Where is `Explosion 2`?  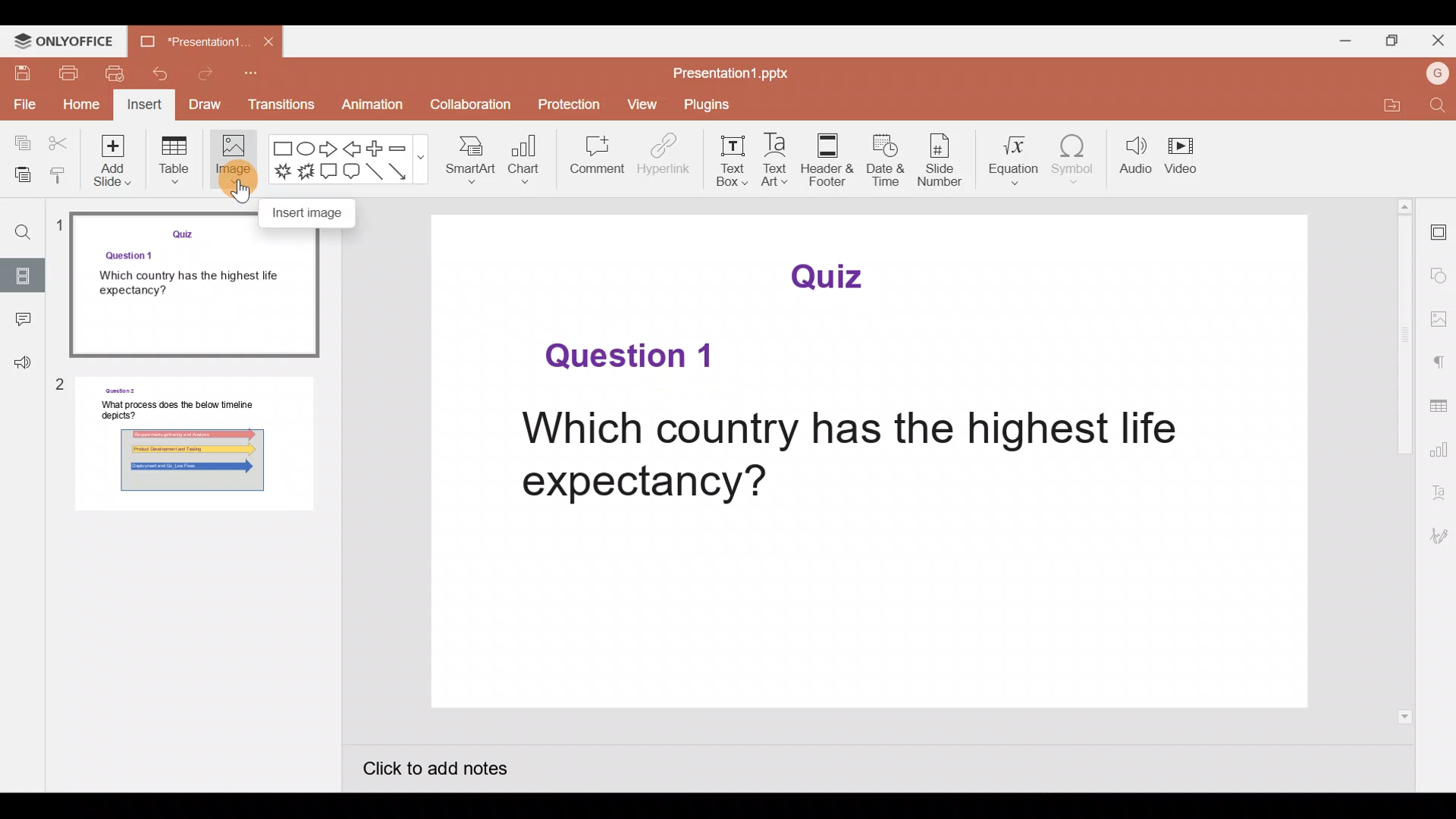
Explosion 2 is located at coordinates (304, 169).